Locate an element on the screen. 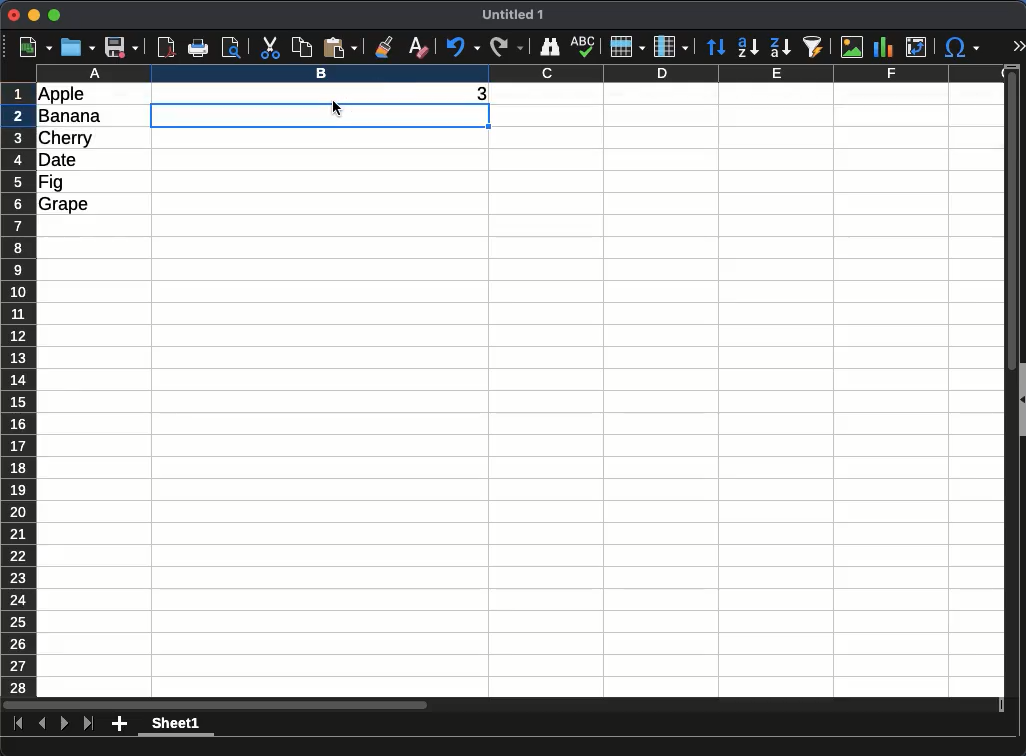 This screenshot has height=756, width=1026. Collapse/Expand is located at coordinates (1023, 400).